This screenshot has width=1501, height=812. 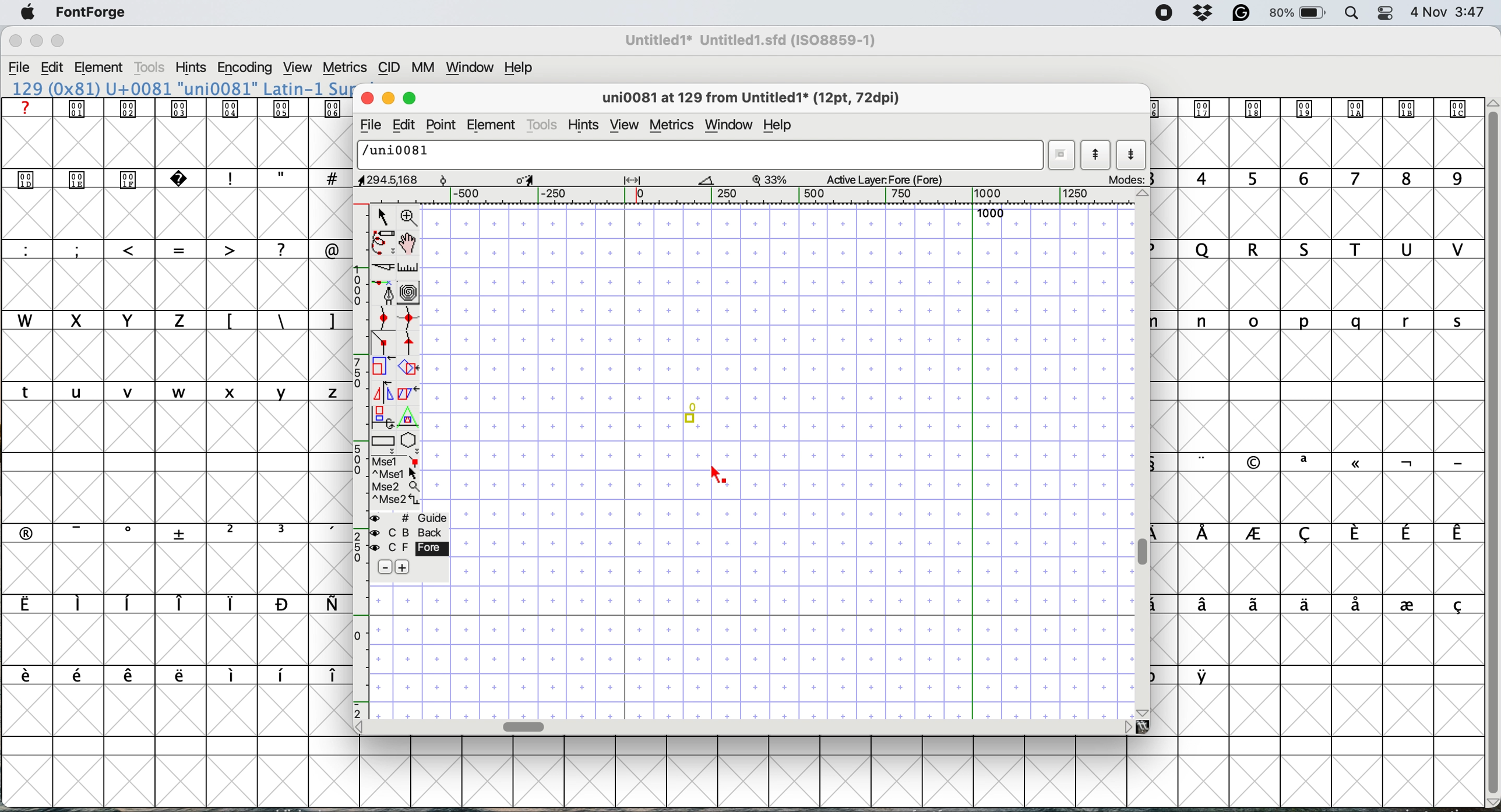 I want to click on stars and polygons, so click(x=411, y=443).